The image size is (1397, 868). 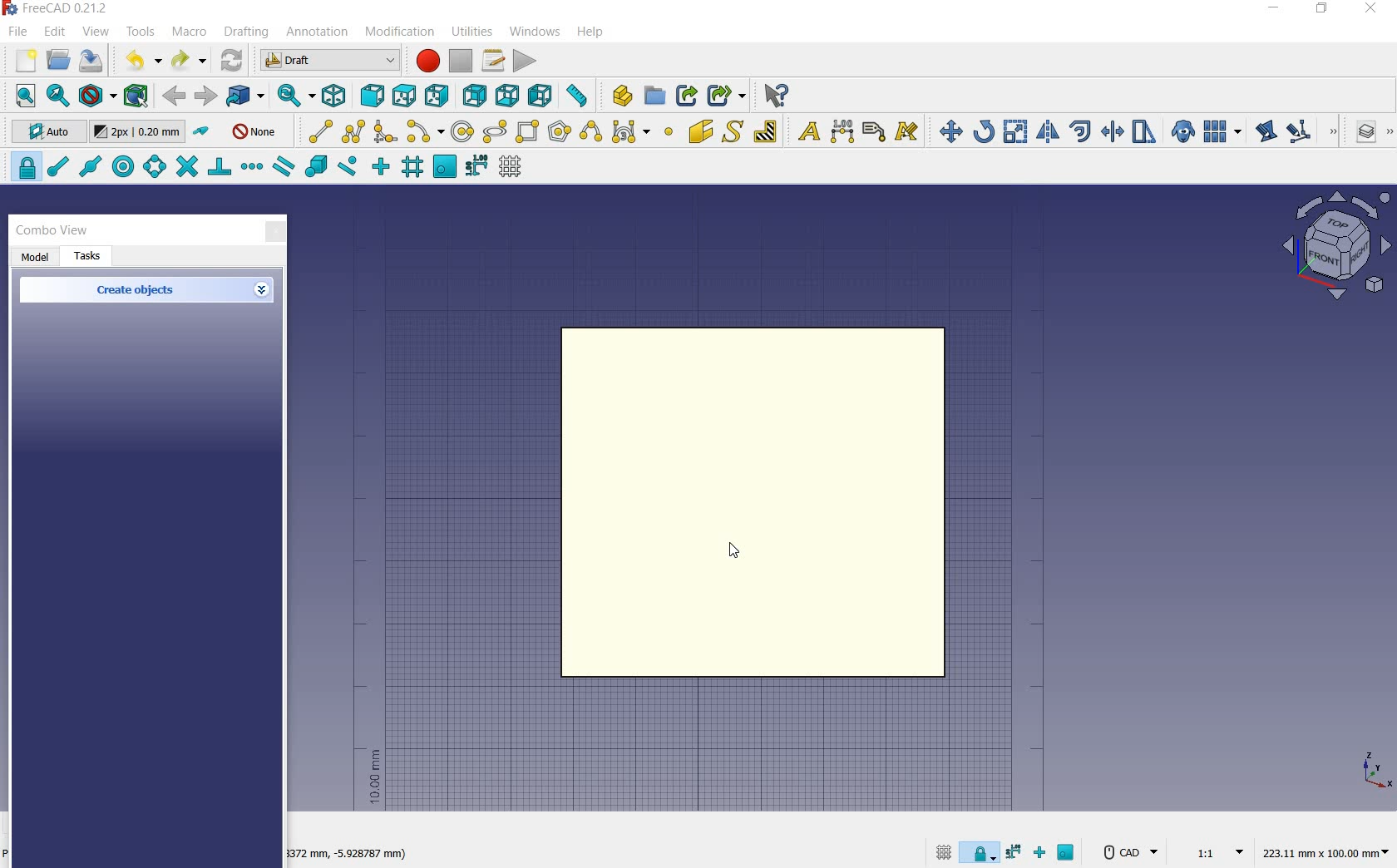 What do you see at coordinates (1323, 10) in the screenshot?
I see `restore down` at bounding box center [1323, 10].